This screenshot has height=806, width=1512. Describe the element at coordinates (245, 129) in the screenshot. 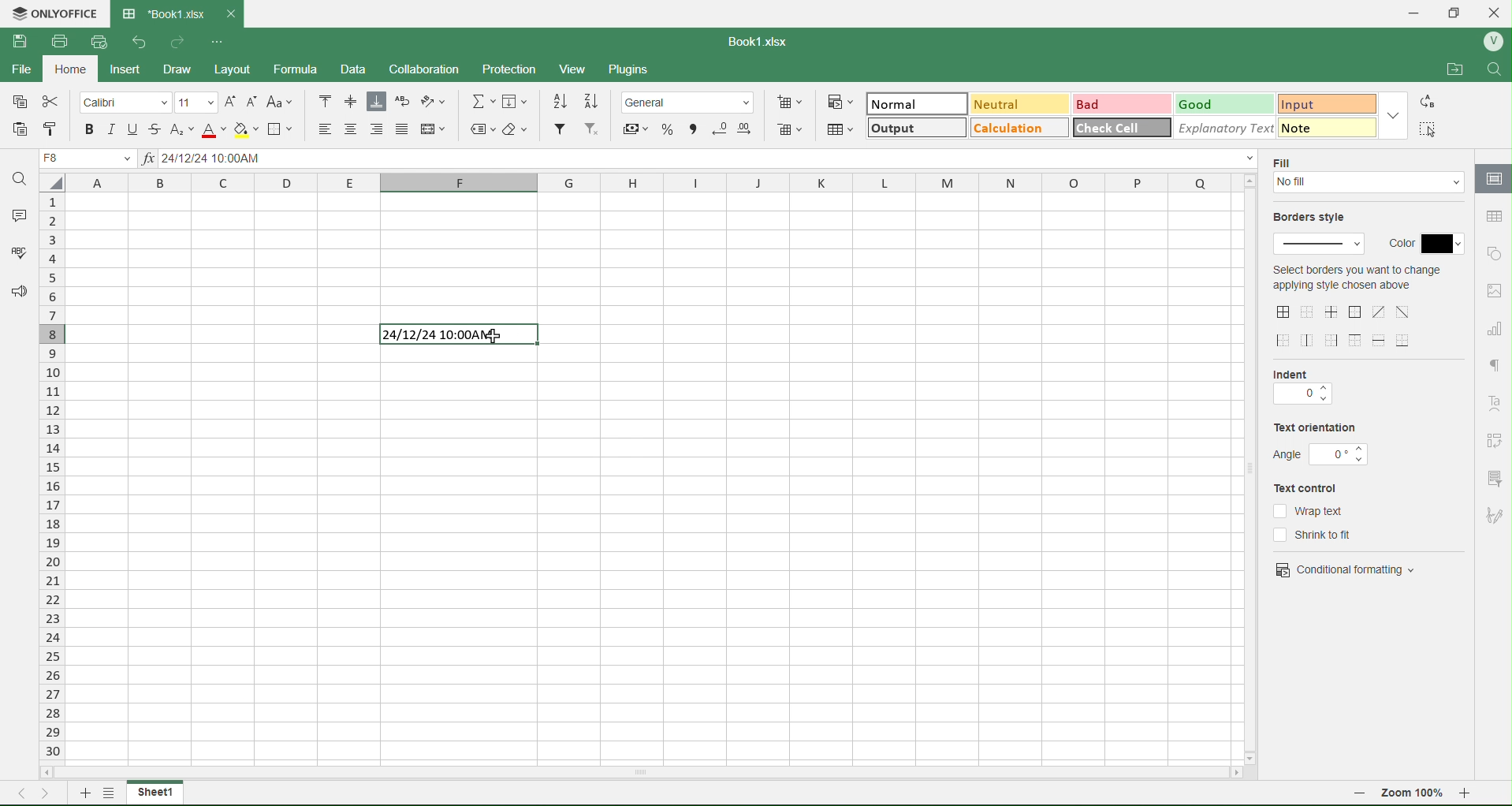

I see `Fill Color` at that location.